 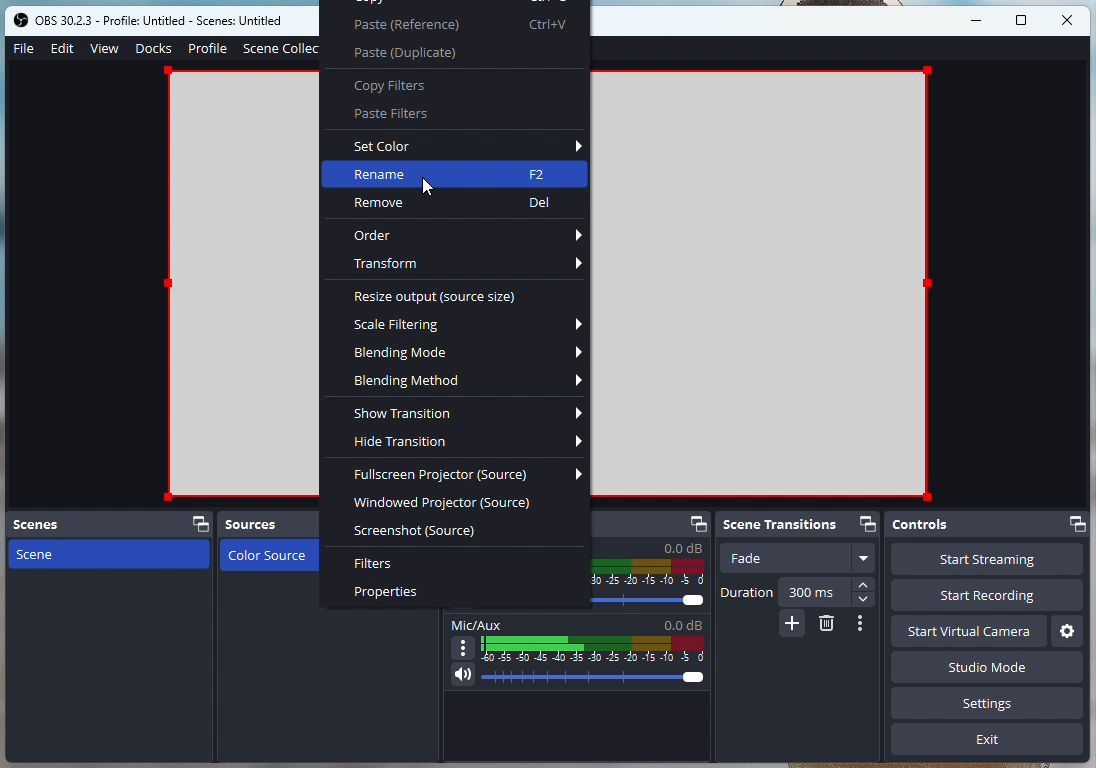 What do you see at coordinates (864, 623) in the screenshot?
I see `Options` at bounding box center [864, 623].